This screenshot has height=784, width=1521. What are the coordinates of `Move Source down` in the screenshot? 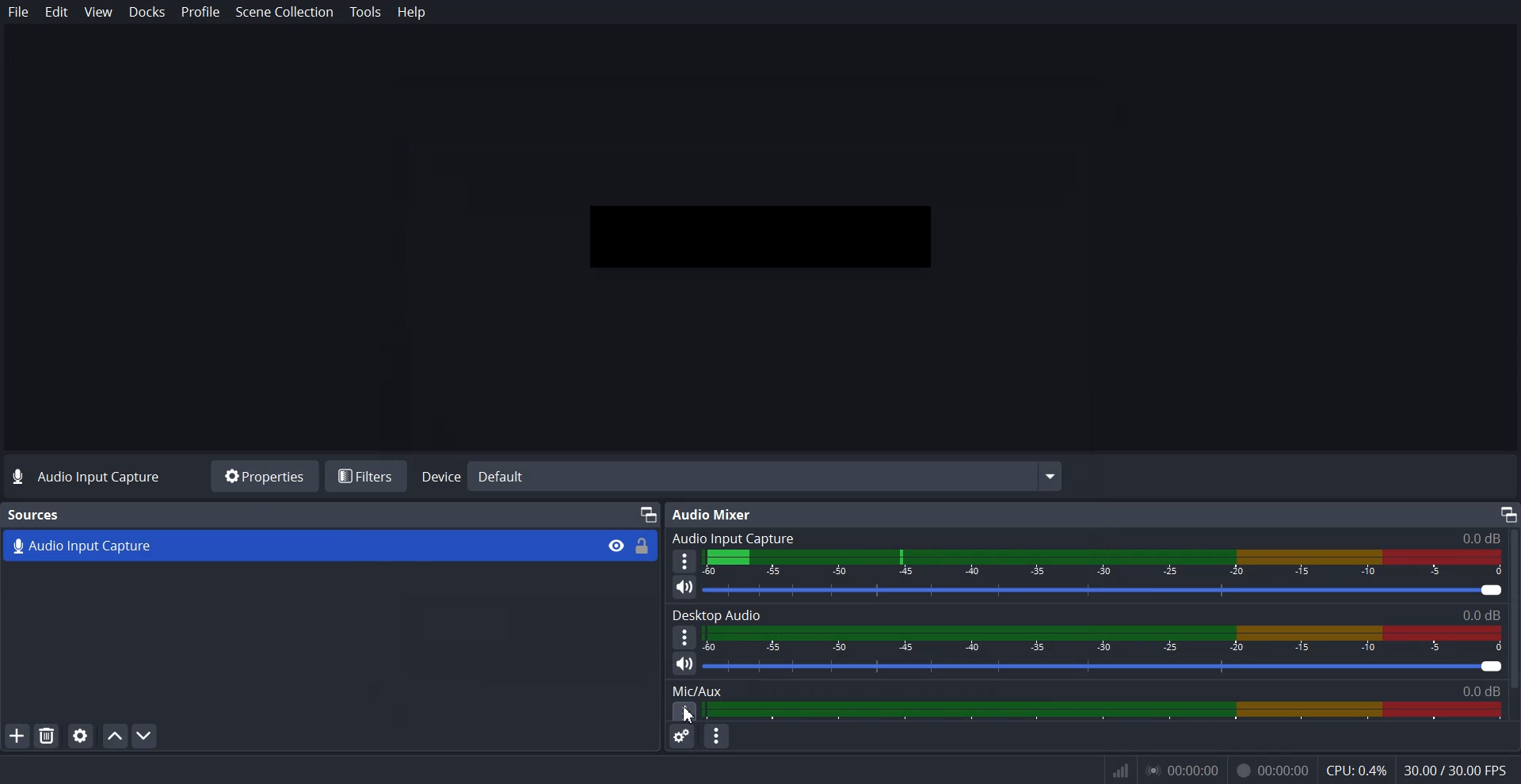 It's located at (145, 735).